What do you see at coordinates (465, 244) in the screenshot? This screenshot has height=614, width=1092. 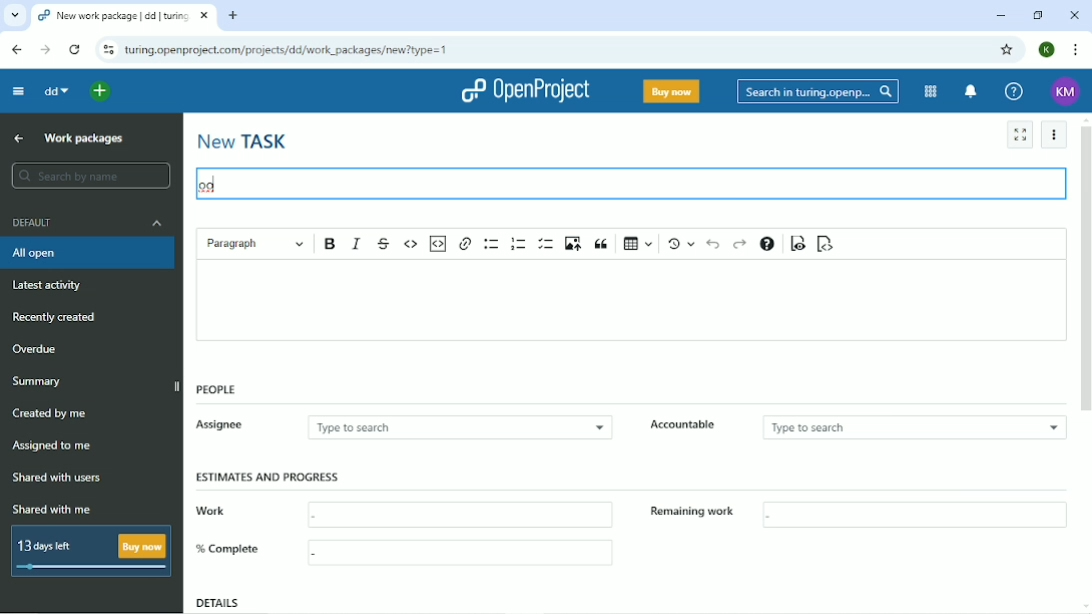 I see `Link` at bounding box center [465, 244].